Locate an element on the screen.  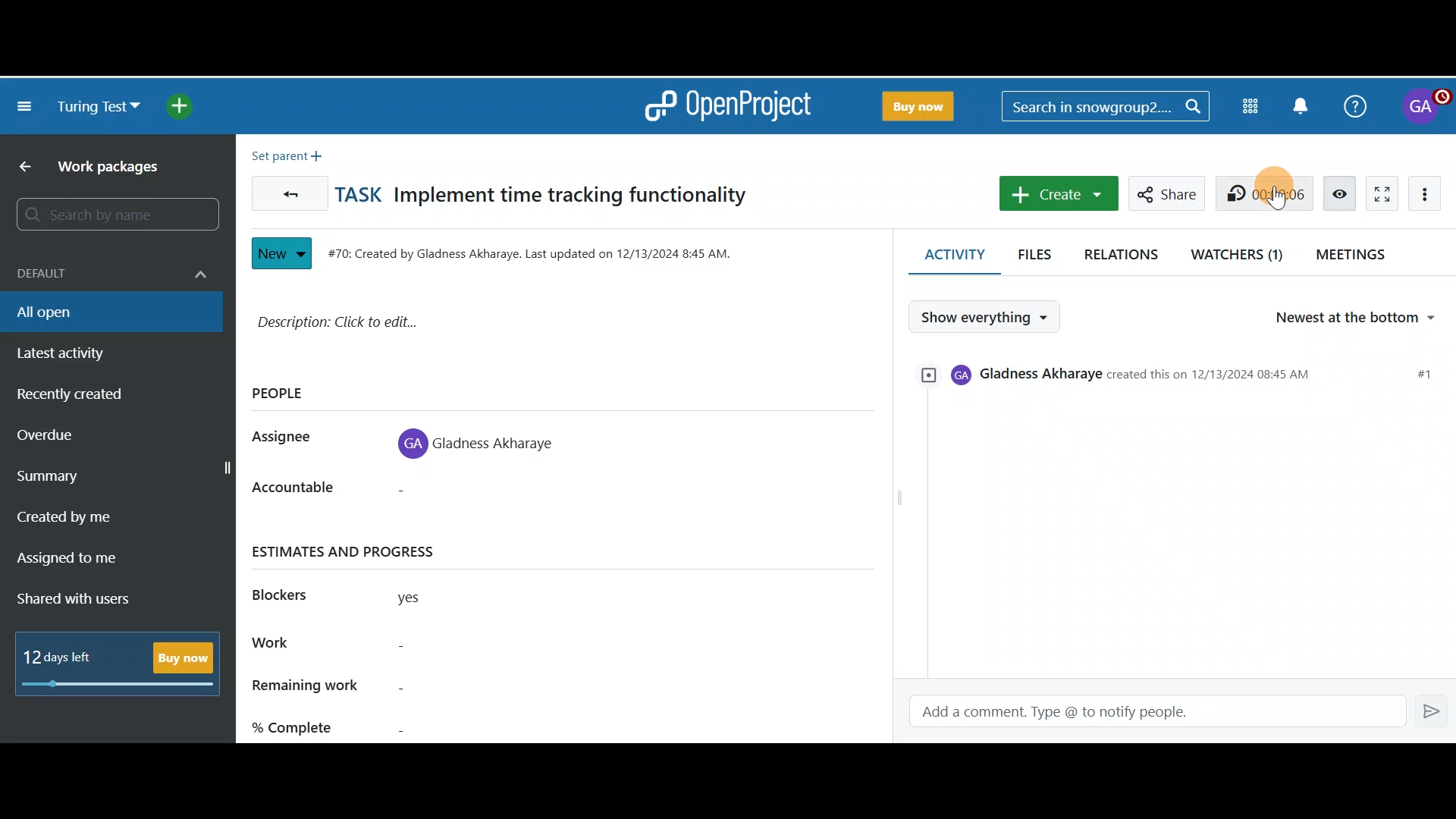
Default is located at coordinates (108, 265).